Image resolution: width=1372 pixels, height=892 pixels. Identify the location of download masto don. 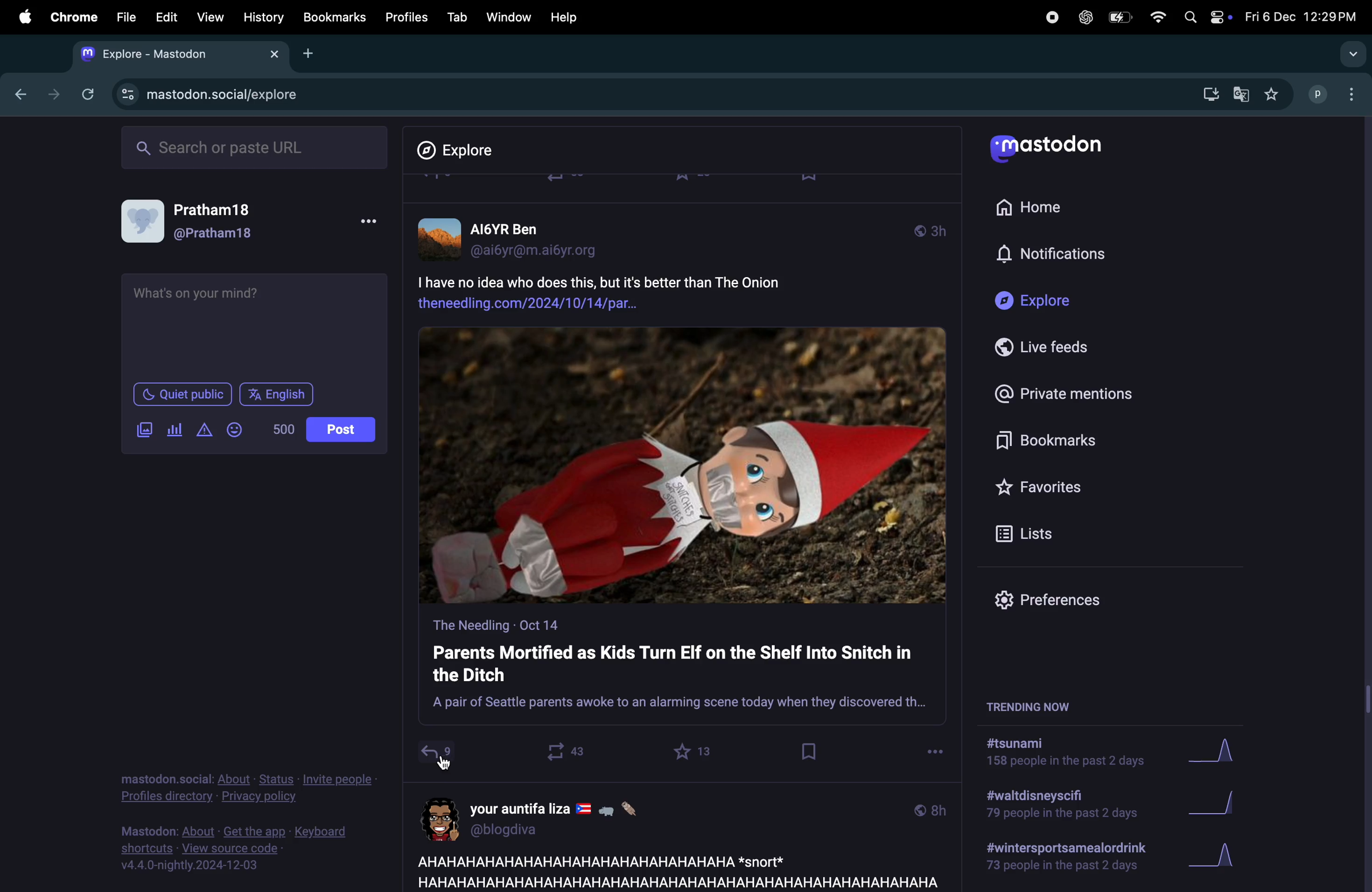
(1207, 94).